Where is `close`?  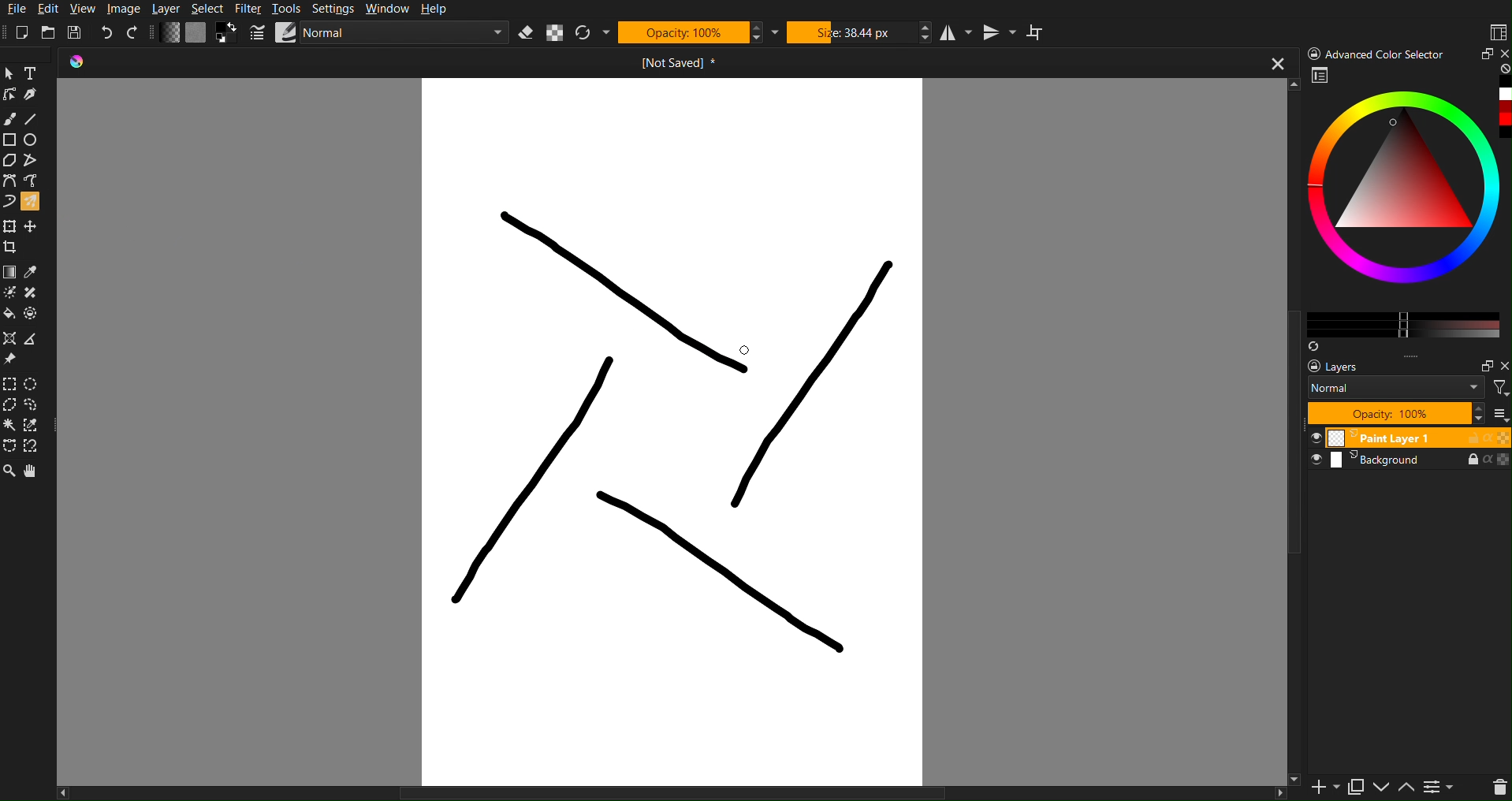
close is located at coordinates (1276, 65).